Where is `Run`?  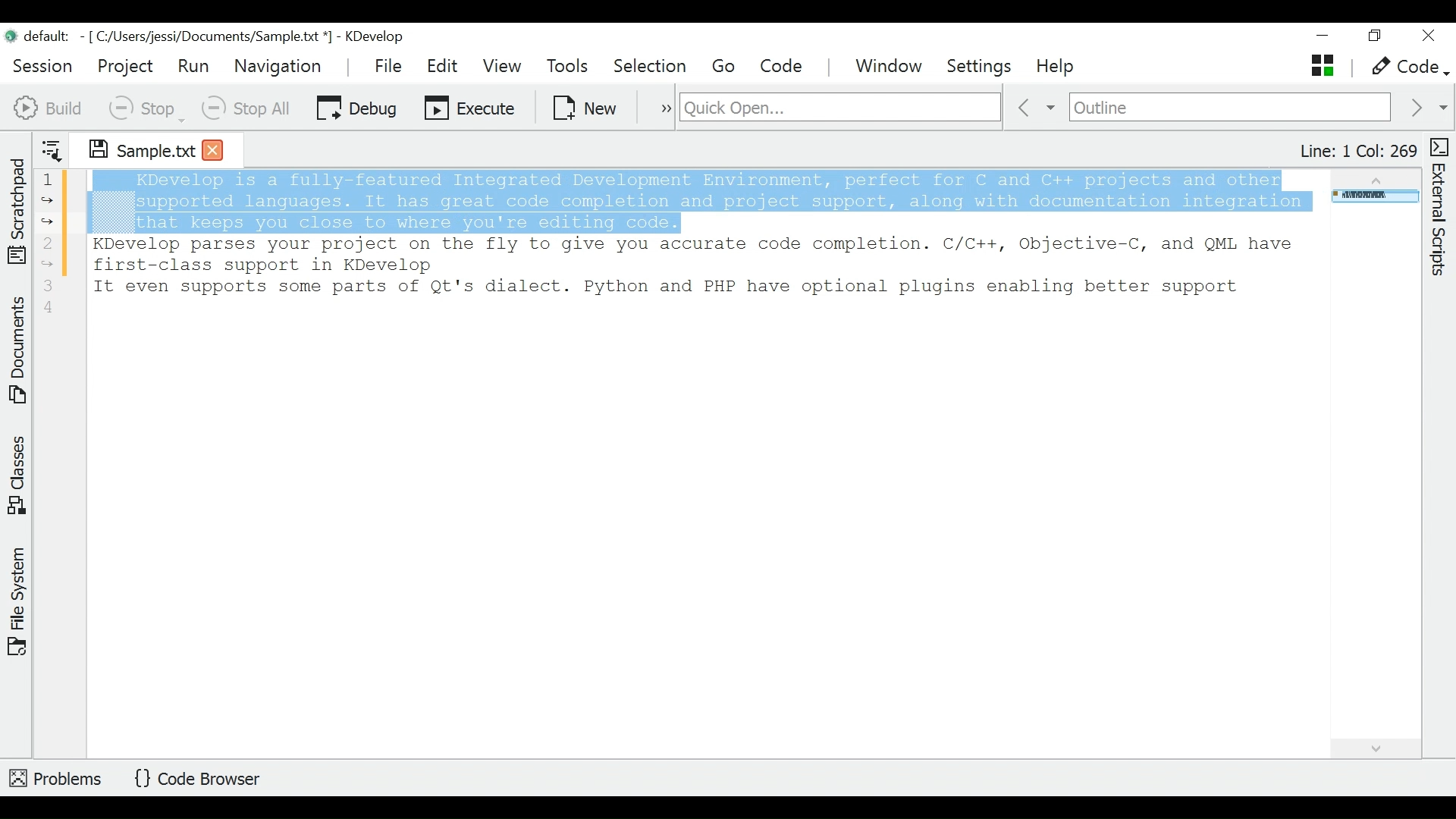
Run is located at coordinates (193, 65).